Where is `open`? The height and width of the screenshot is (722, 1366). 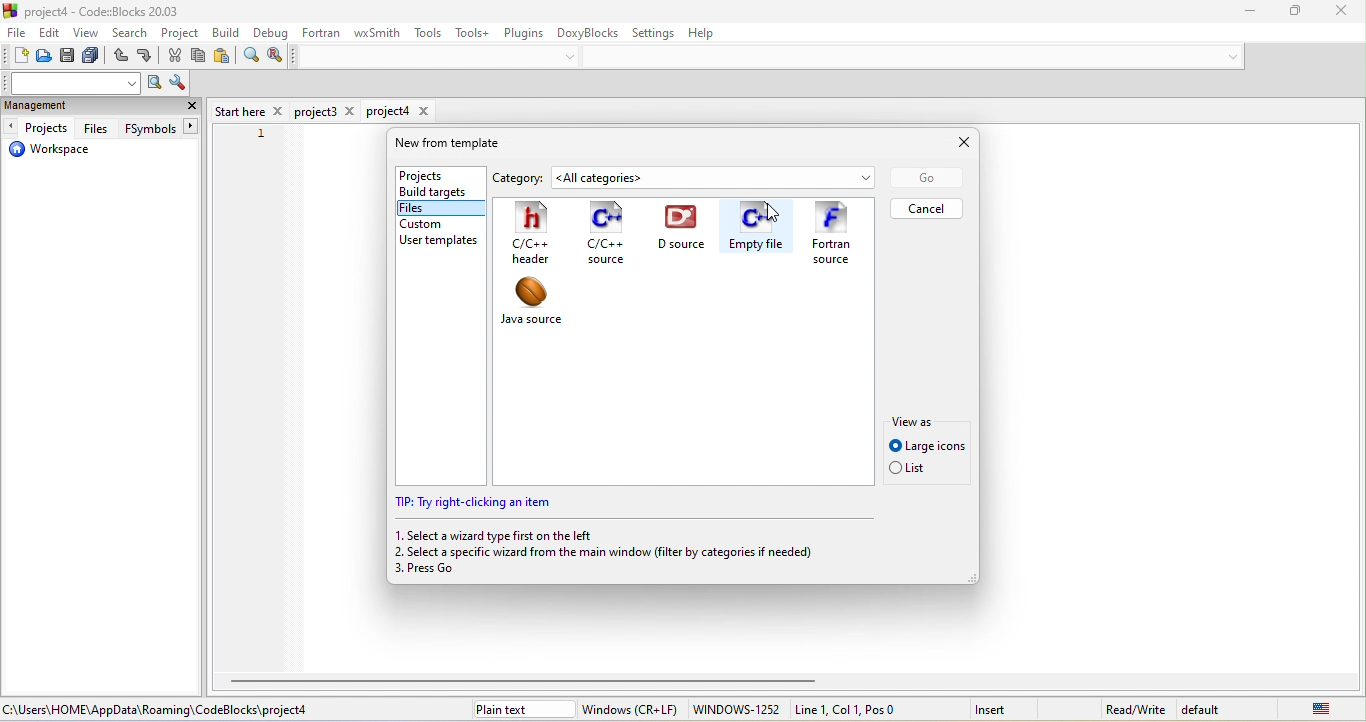 open is located at coordinates (45, 58).